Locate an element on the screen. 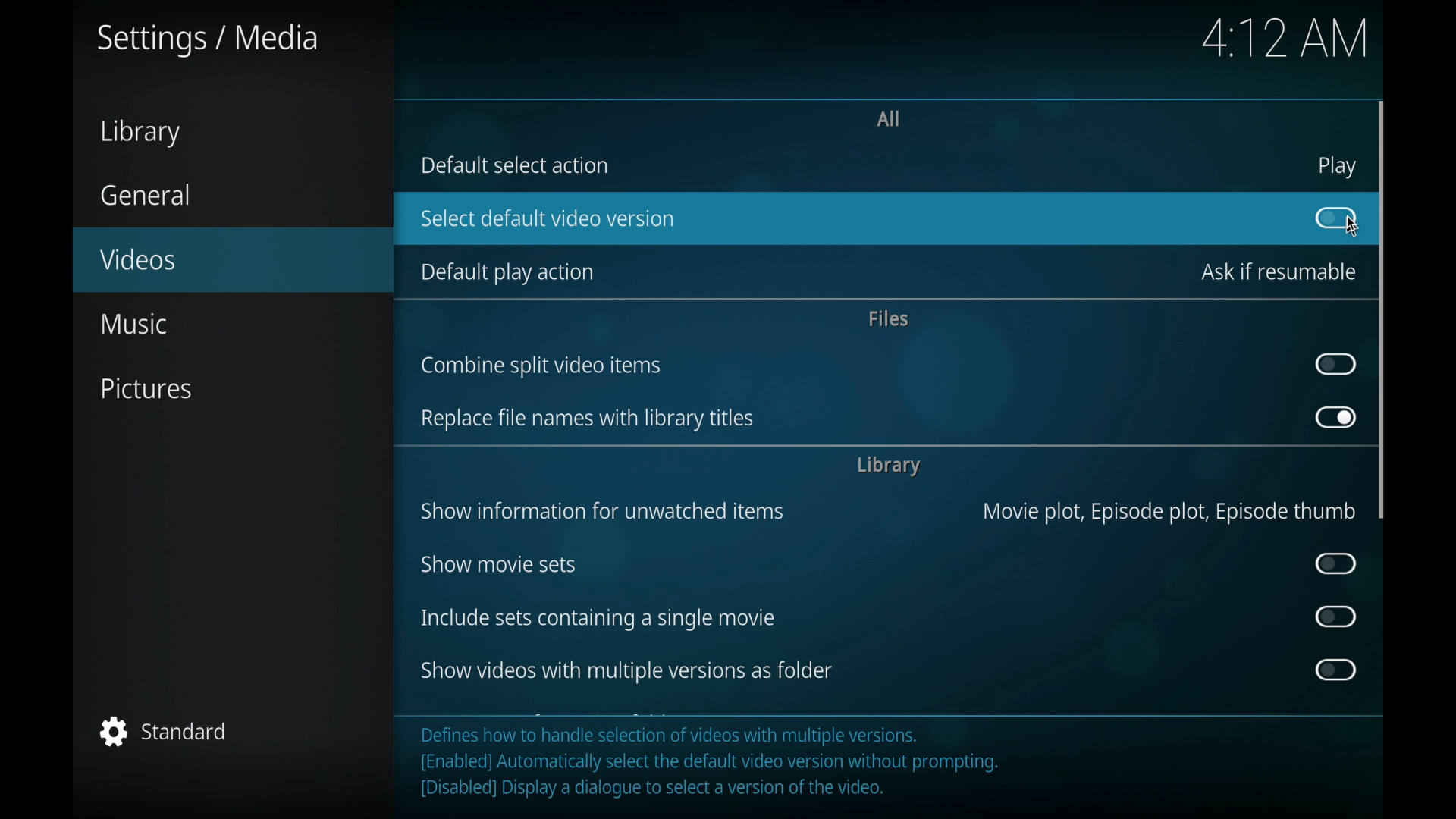  files is located at coordinates (886, 317).